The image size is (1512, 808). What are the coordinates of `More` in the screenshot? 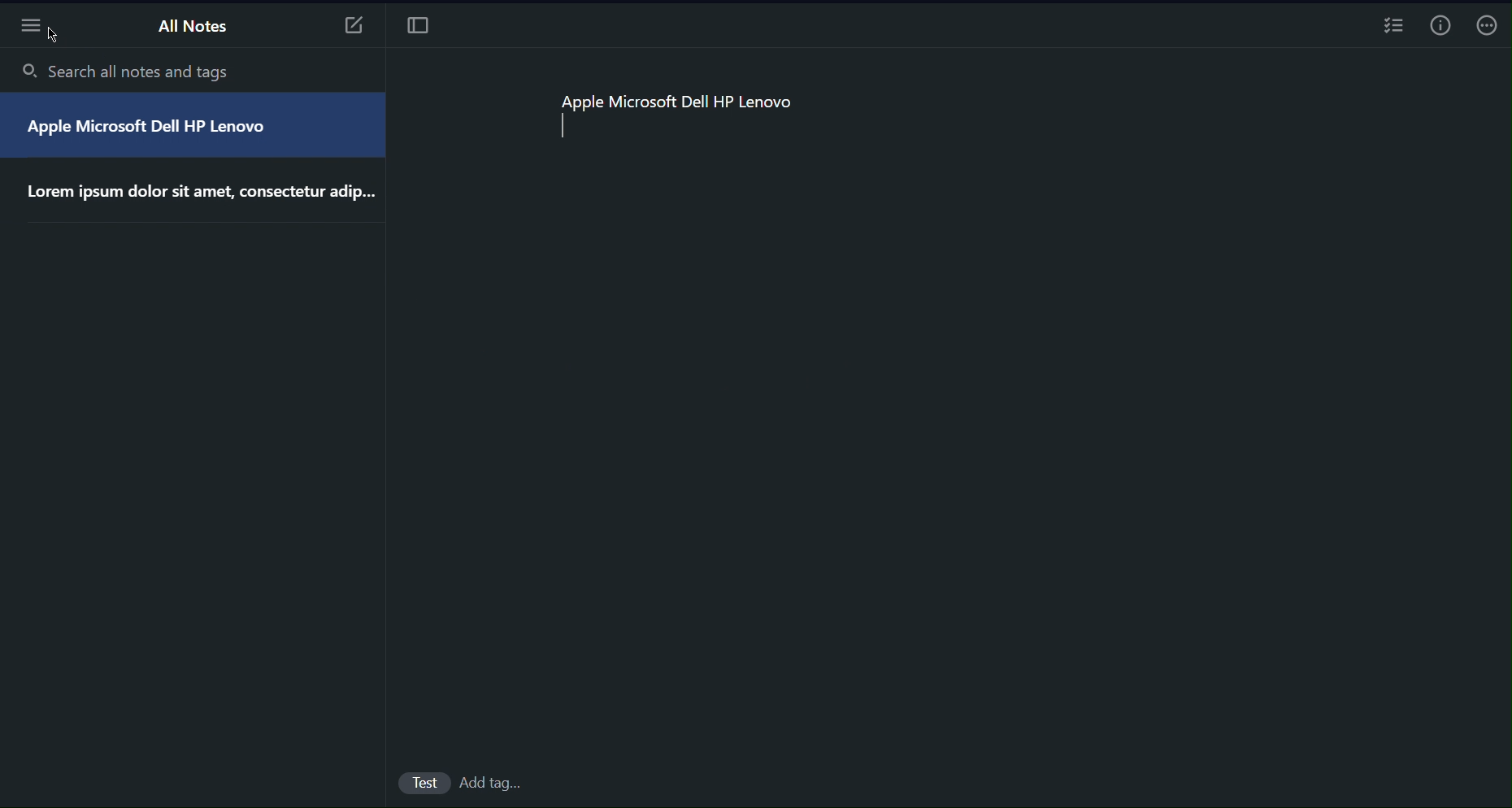 It's located at (31, 28).